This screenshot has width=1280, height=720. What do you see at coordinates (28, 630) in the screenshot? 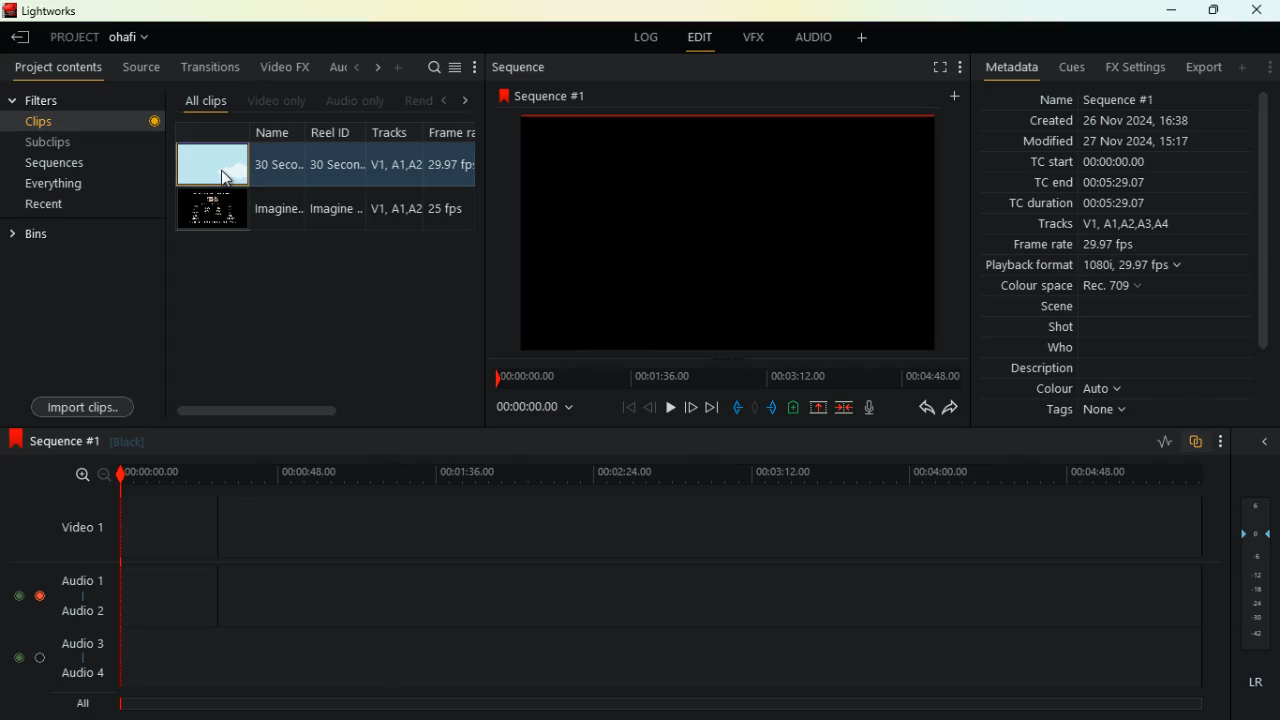
I see `toggle buttons` at bounding box center [28, 630].